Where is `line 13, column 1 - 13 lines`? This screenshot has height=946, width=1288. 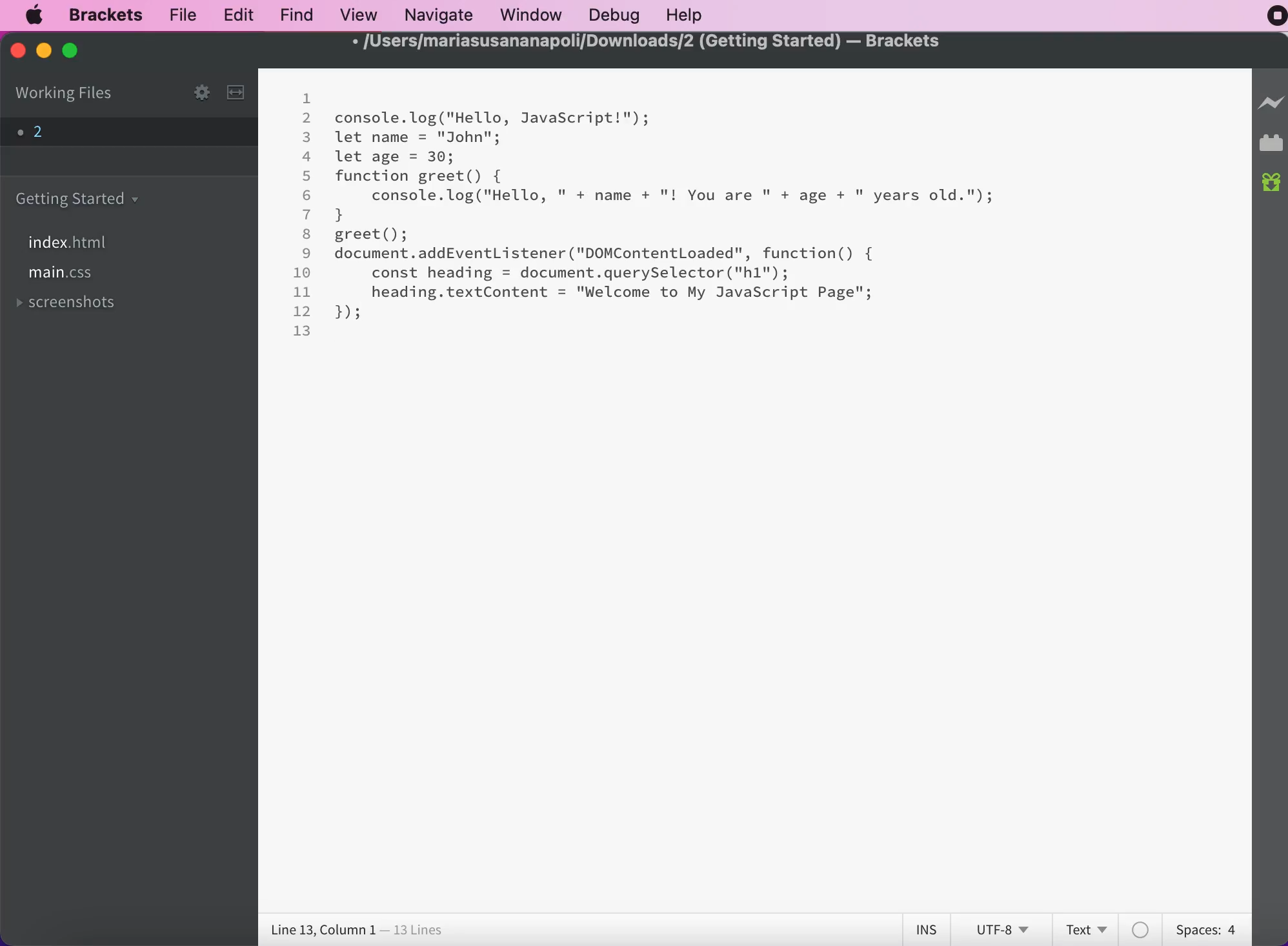
line 13, column 1 - 13 lines is located at coordinates (356, 929).